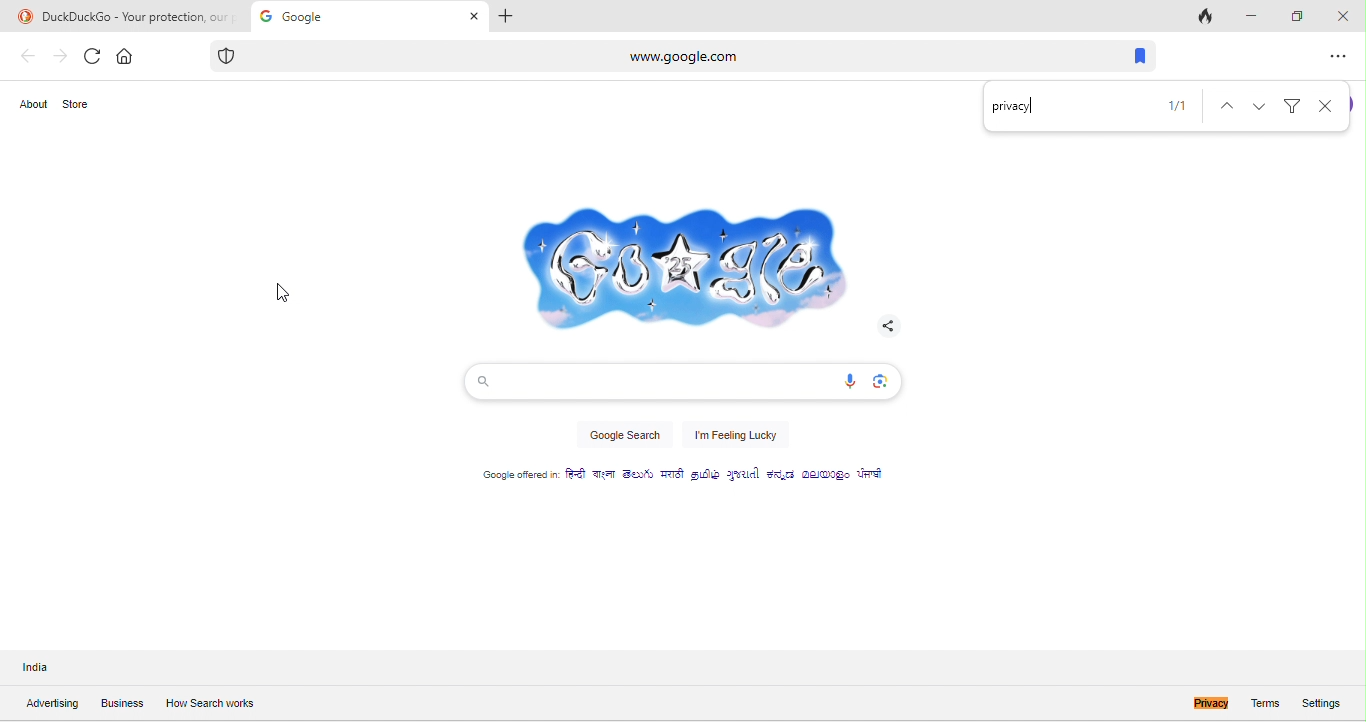  Describe the element at coordinates (51, 704) in the screenshot. I see `advertising` at that location.